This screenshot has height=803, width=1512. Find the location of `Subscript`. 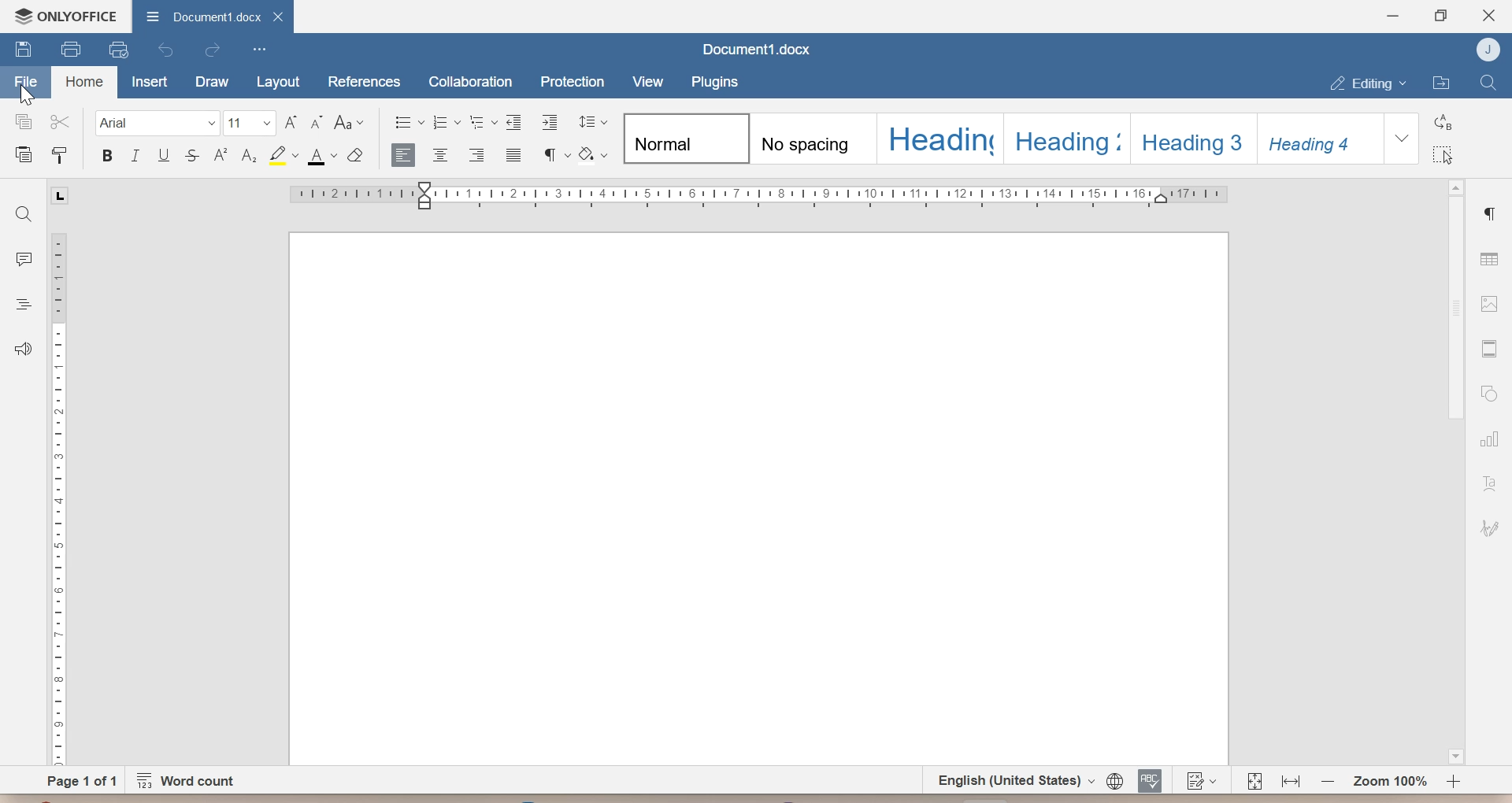

Subscript is located at coordinates (248, 155).